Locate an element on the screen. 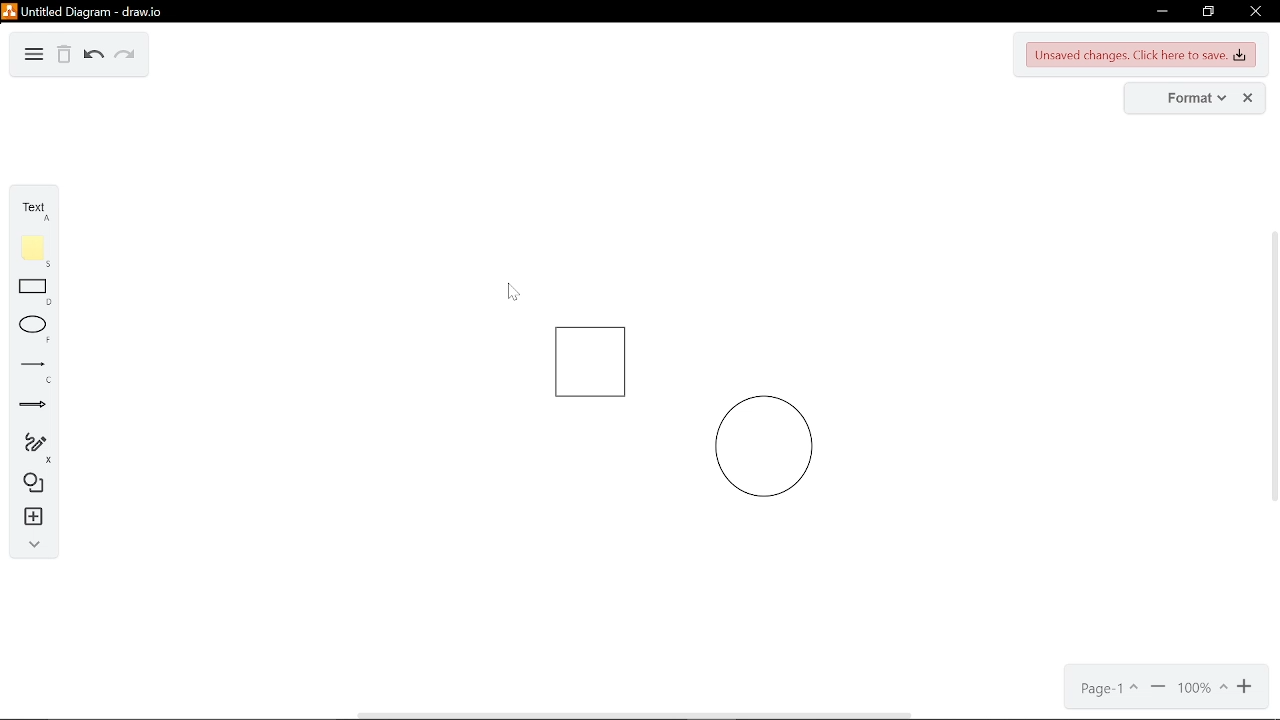  ellipse is located at coordinates (30, 331).